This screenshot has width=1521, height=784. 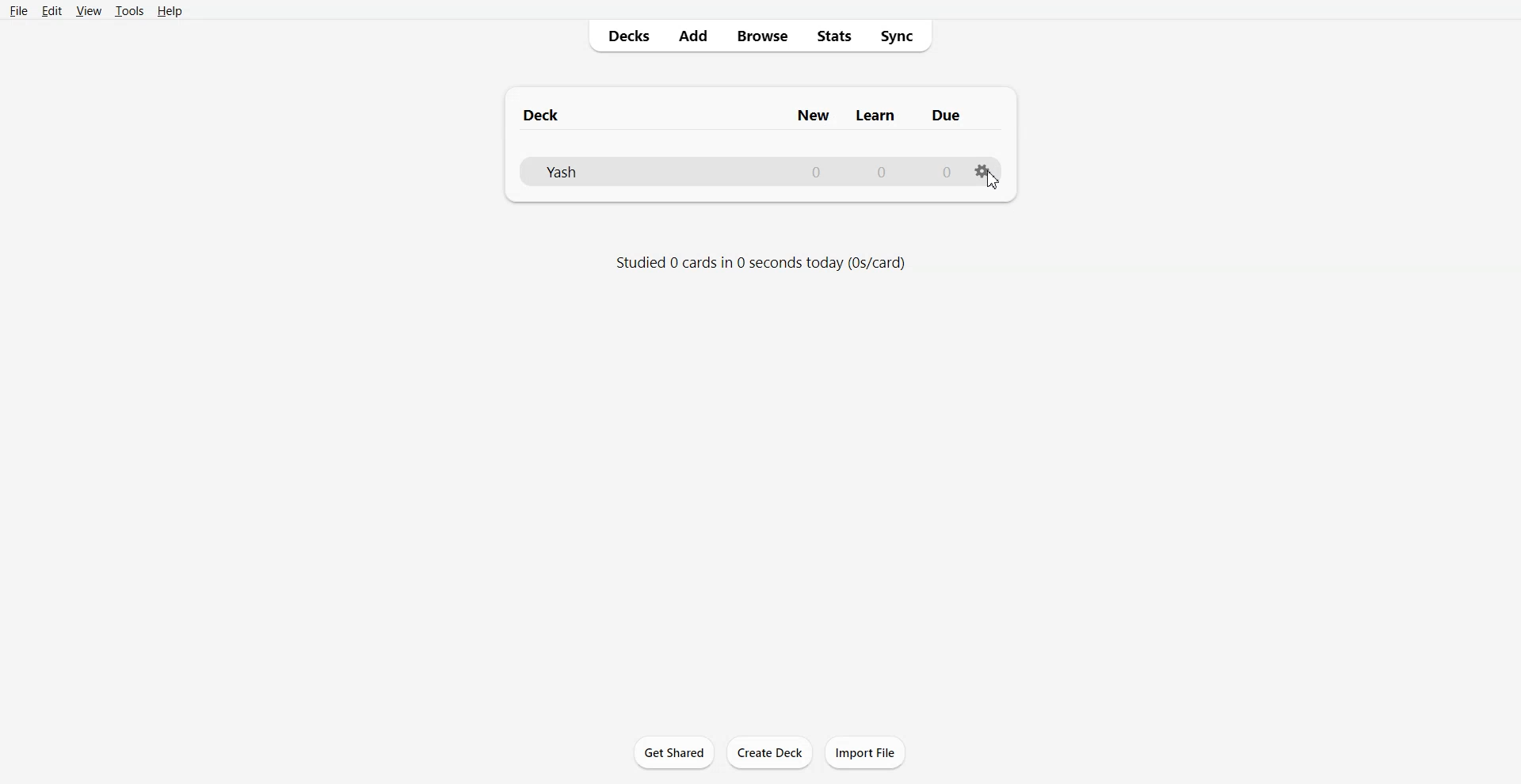 I want to click on Decks, so click(x=623, y=36).